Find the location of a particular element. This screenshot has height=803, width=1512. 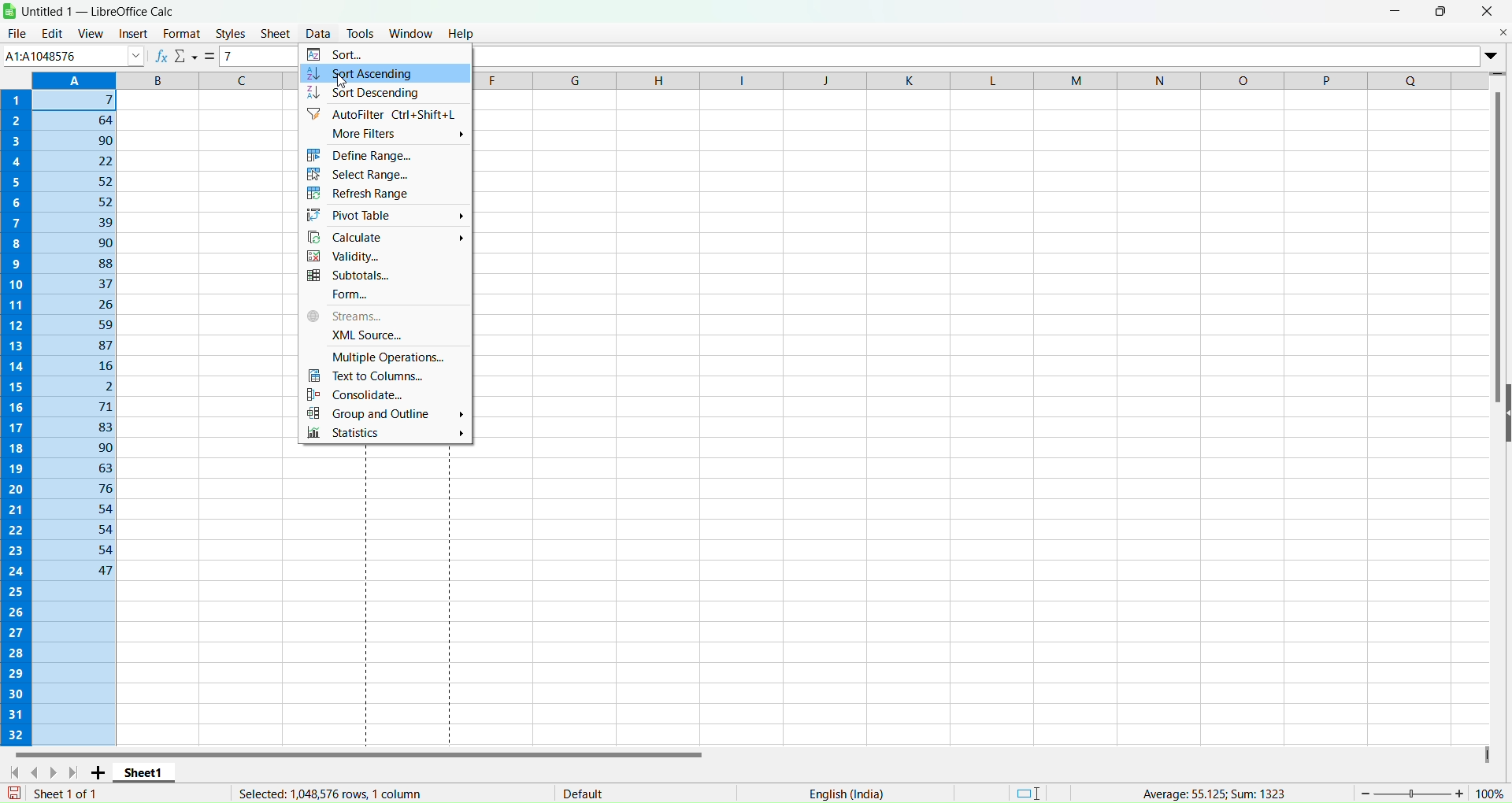

Horizontal Scroll Bar is located at coordinates (361, 752).